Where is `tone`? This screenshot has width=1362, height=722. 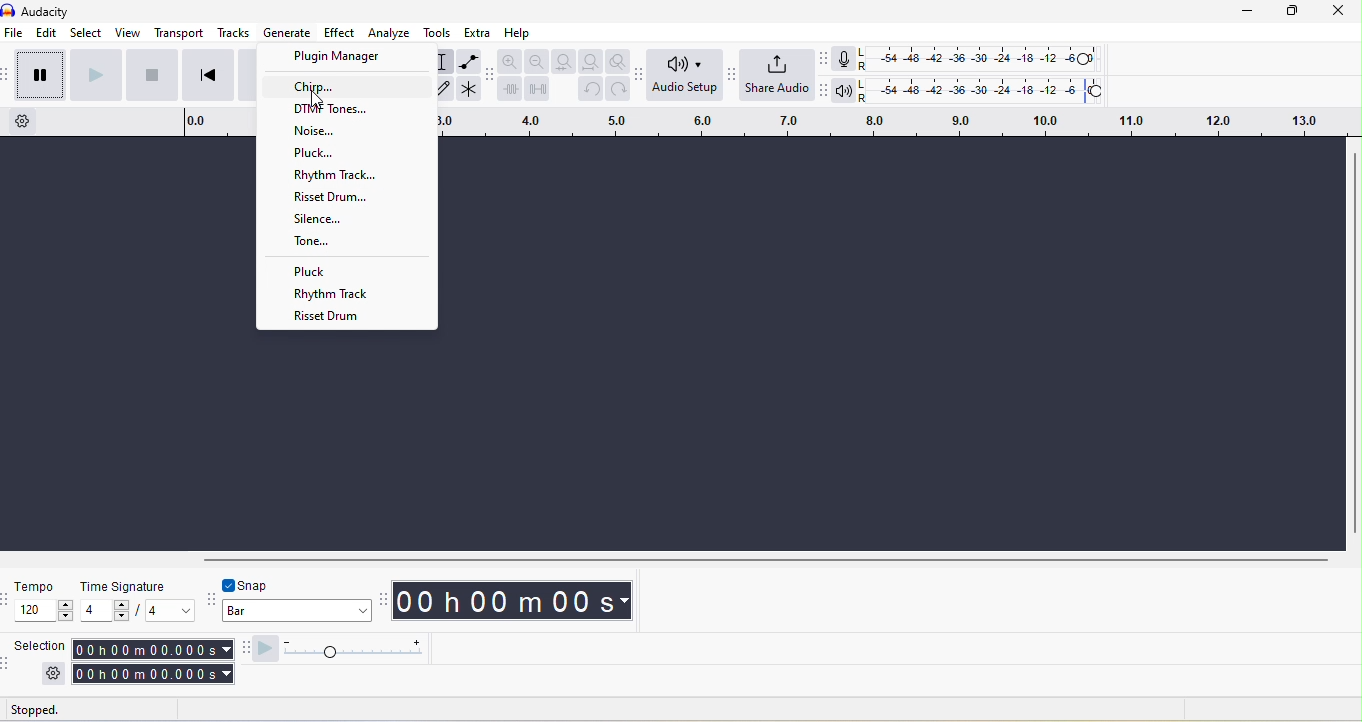 tone is located at coordinates (312, 242).